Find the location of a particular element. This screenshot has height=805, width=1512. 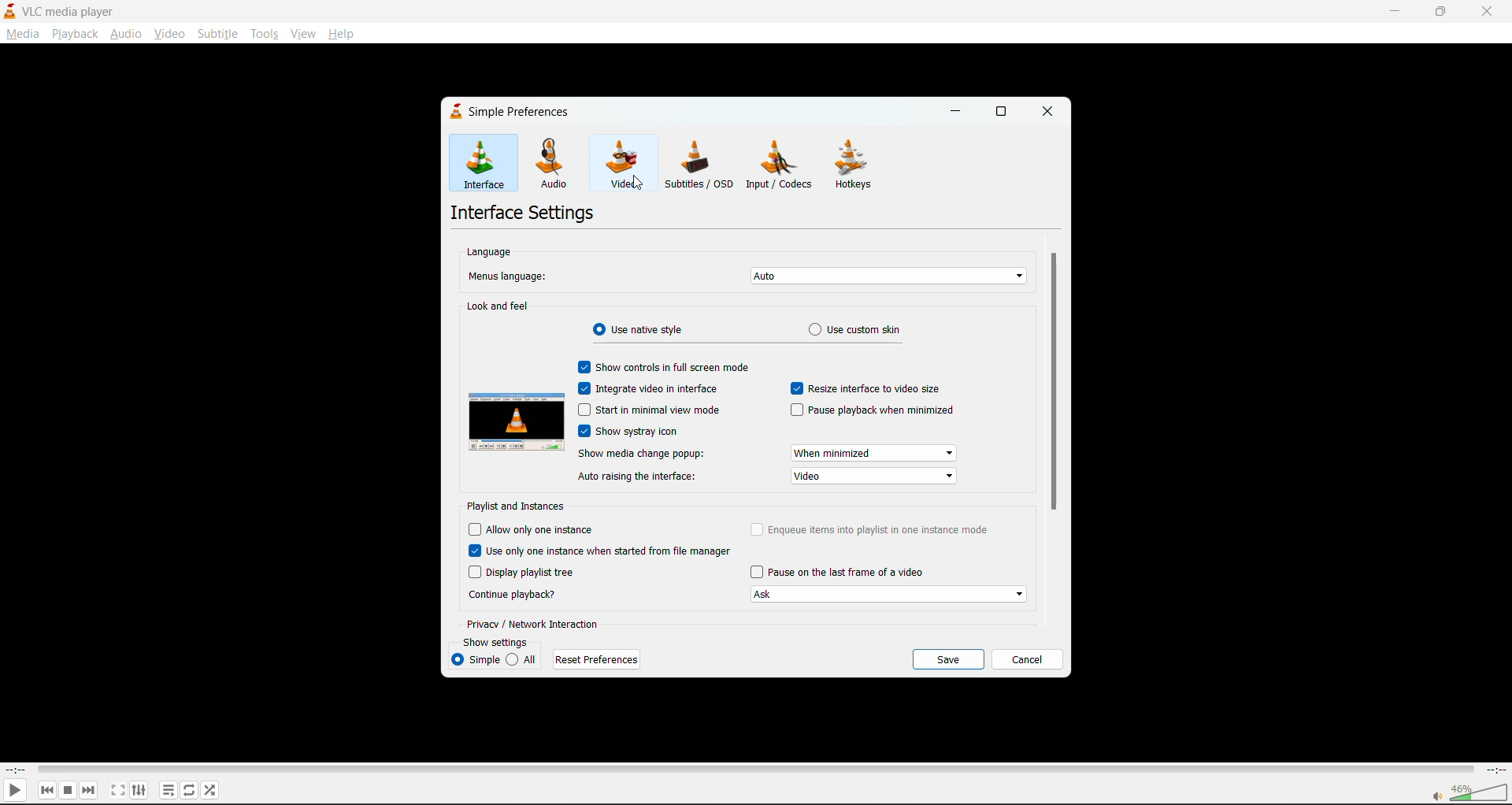

continue playback is located at coordinates (516, 594).